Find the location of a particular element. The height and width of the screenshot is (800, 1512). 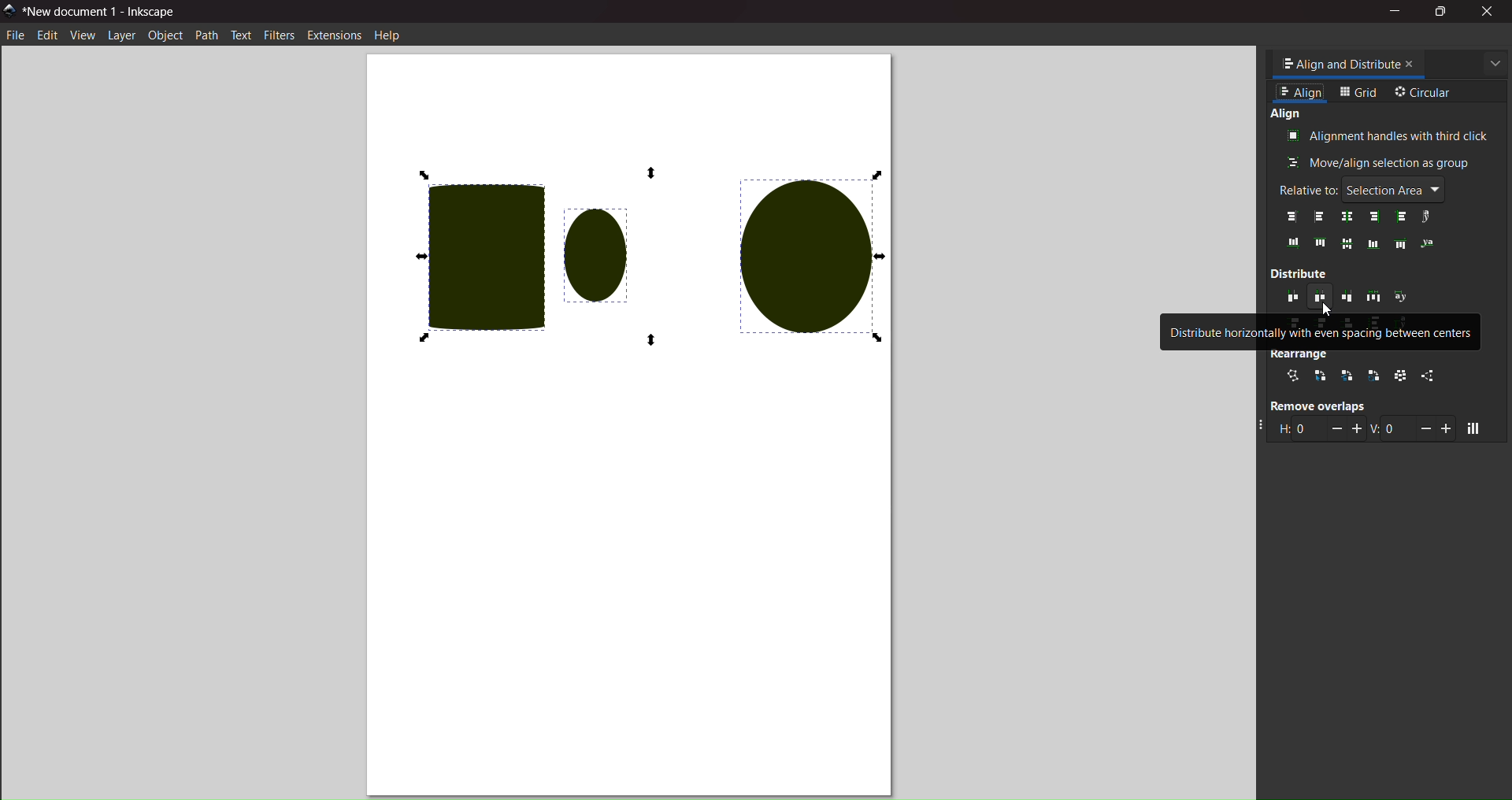

title is located at coordinates (104, 10).